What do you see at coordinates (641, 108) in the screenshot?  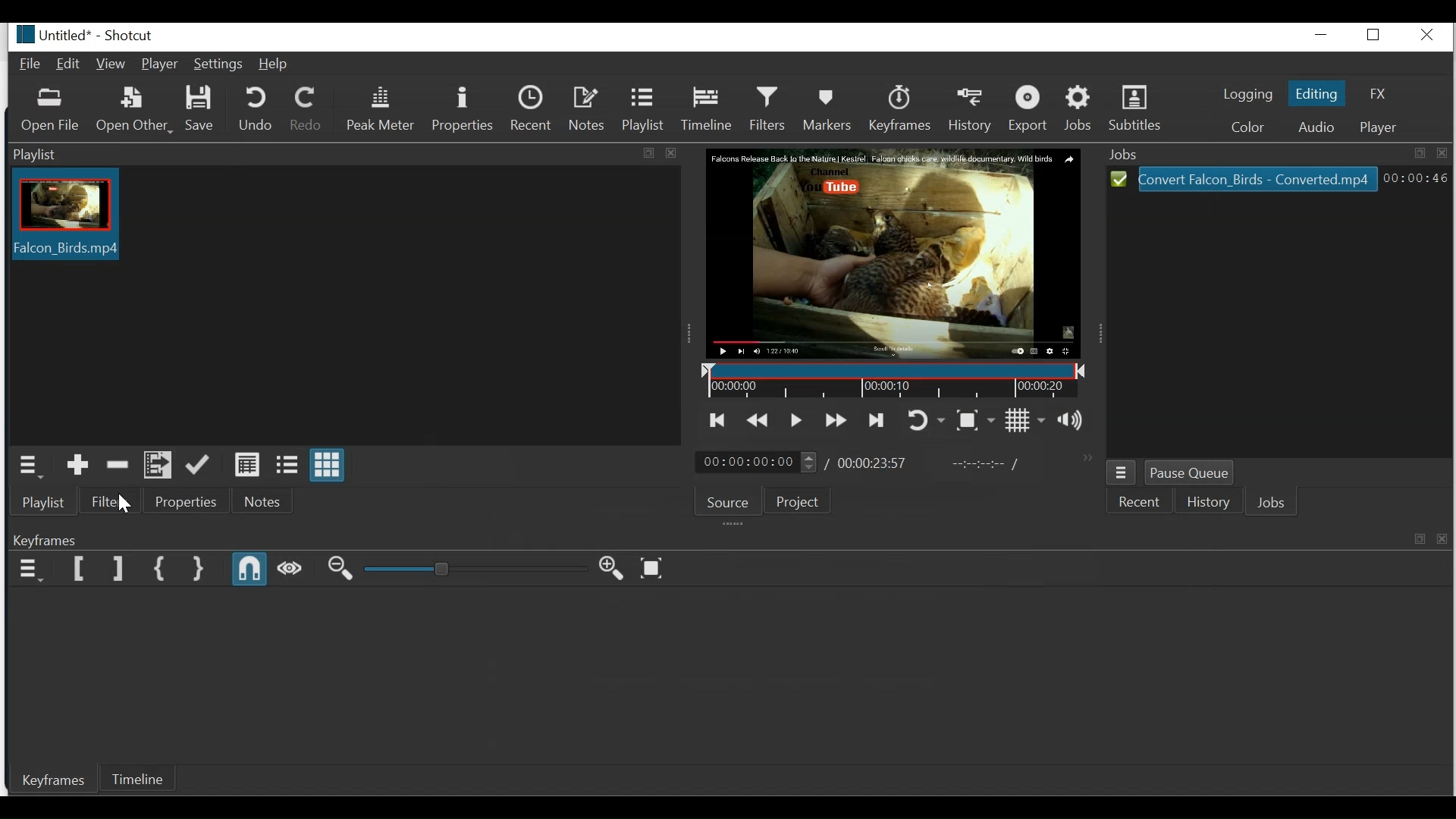 I see `Playlist` at bounding box center [641, 108].